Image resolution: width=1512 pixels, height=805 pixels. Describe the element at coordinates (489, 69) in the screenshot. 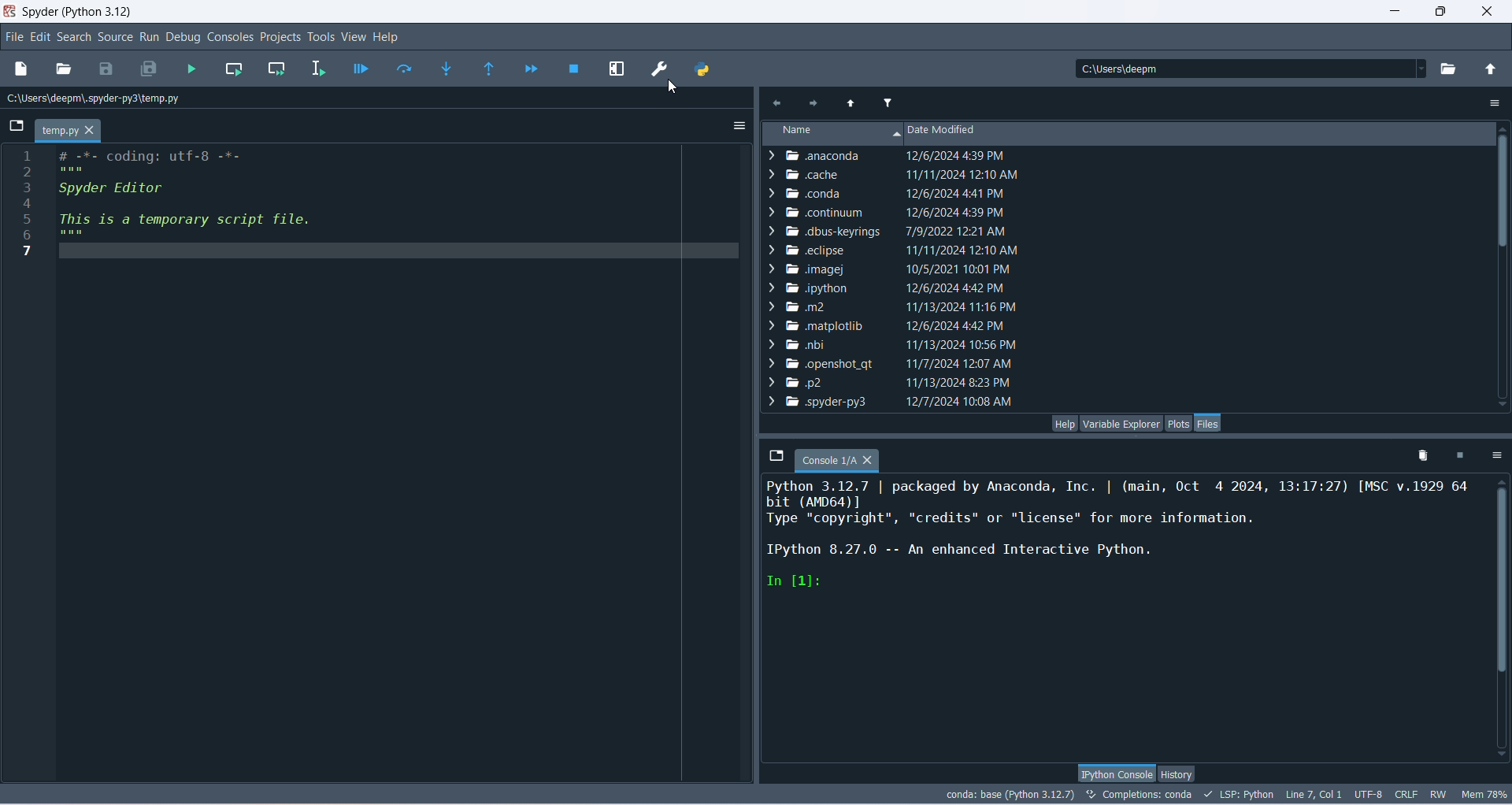

I see `run until the current function returns` at that location.